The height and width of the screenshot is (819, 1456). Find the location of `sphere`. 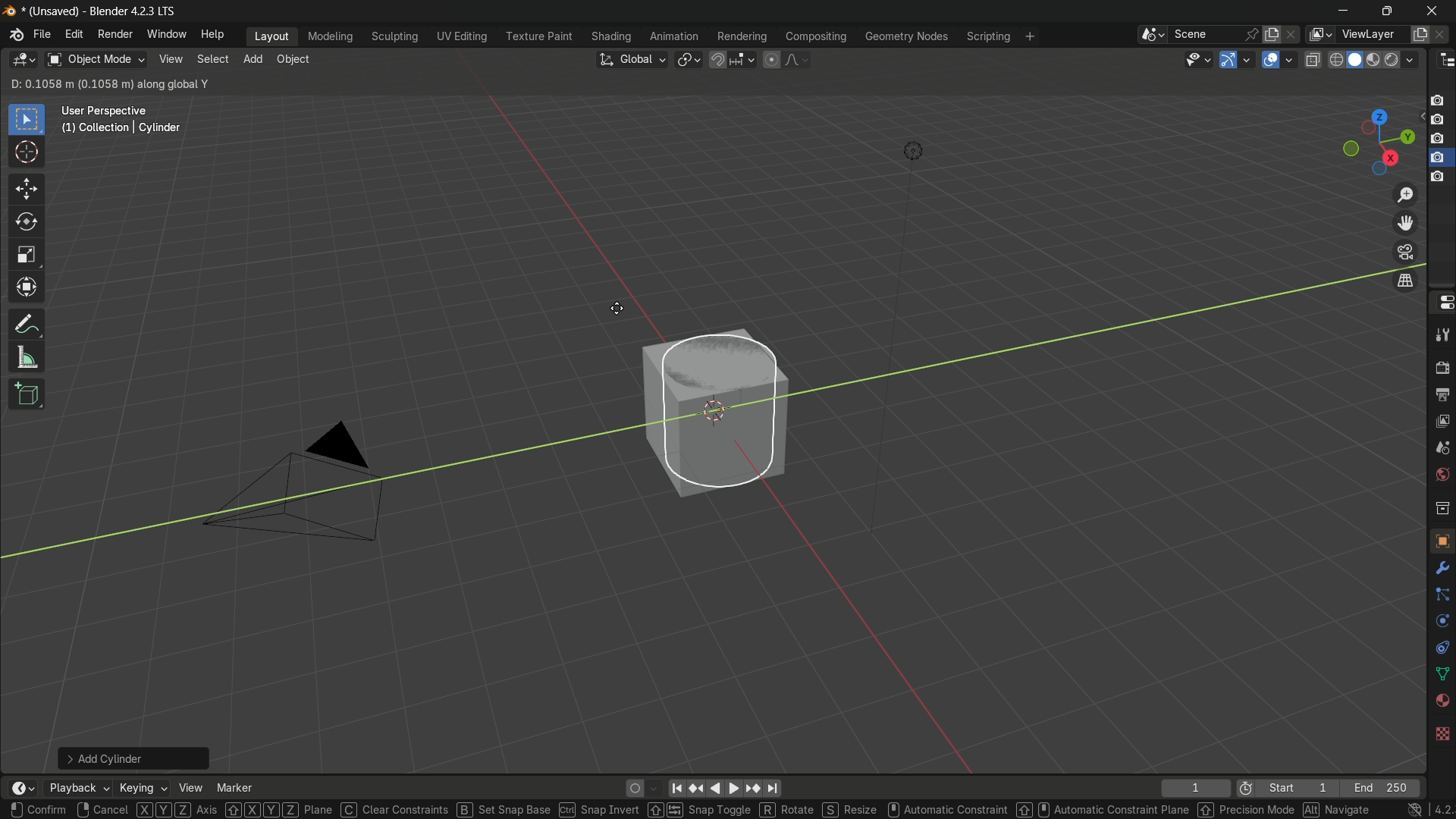

sphere is located at coordinates (1439, 701).